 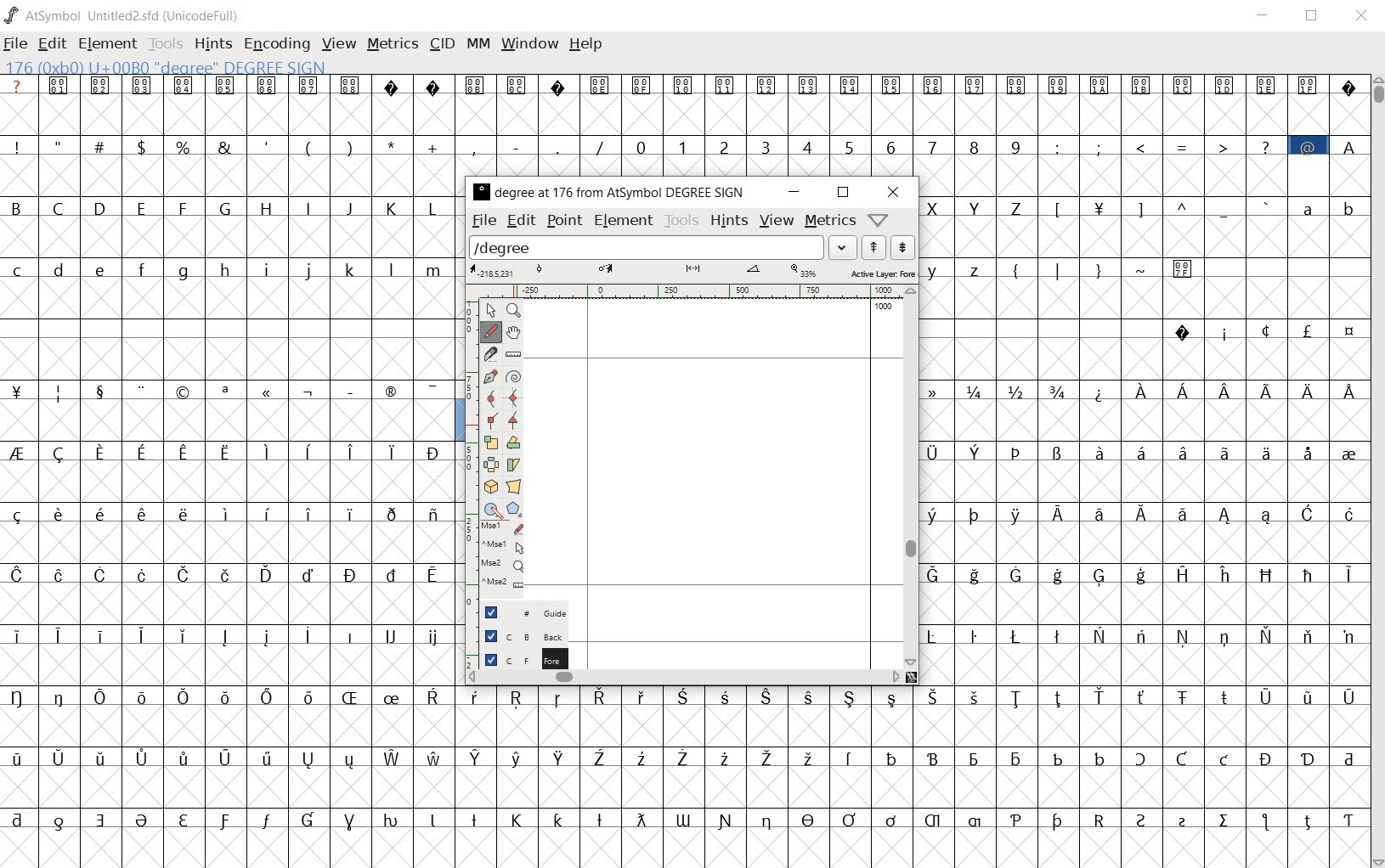 I want to click on empty glyph slots, so click(x=230, y=421).